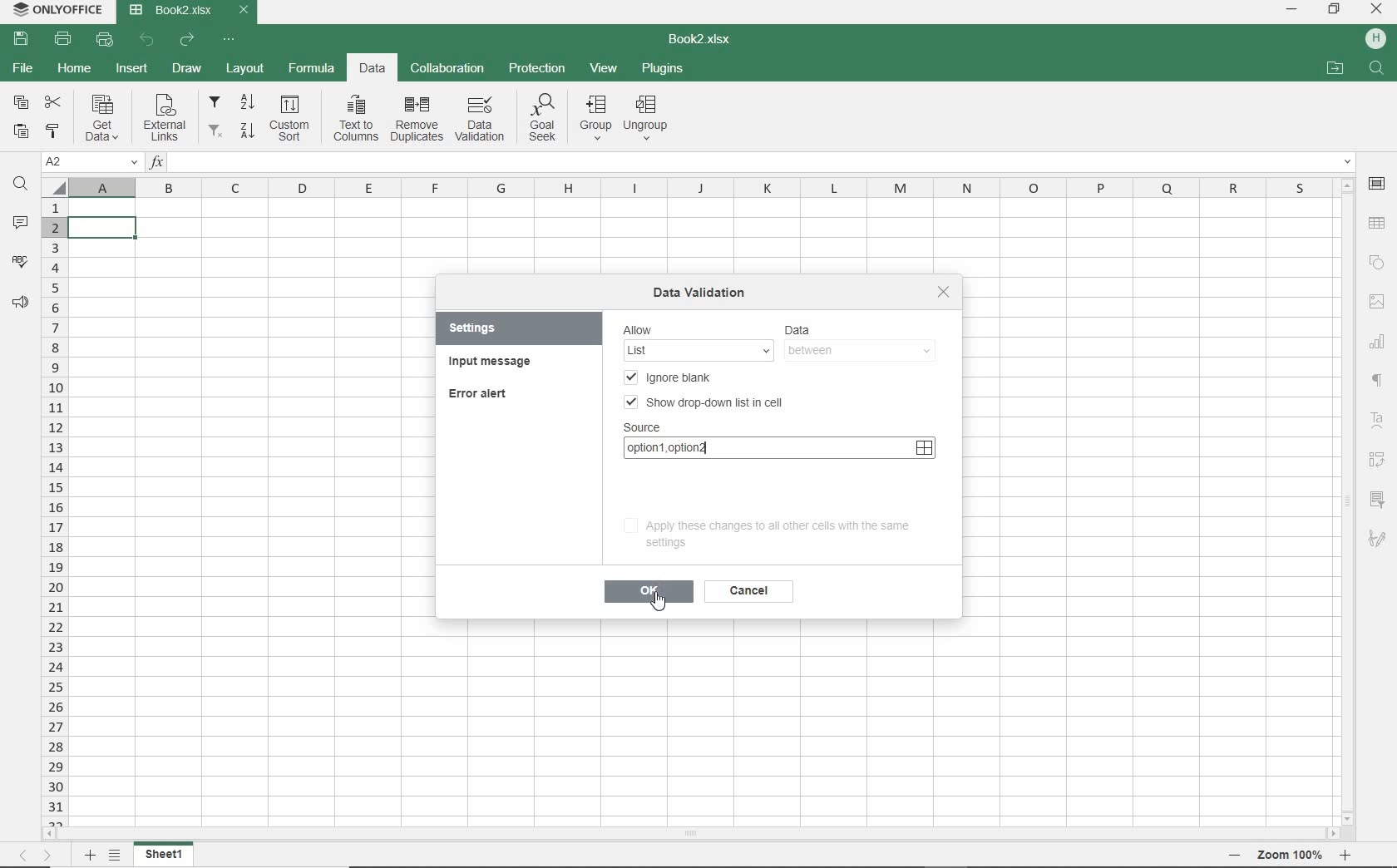 The width and height of the screenshot is (1397, 868). What do you see at coordinates (1337, 68) in the screenshot?
I see `OPEN FILE LOCATION` at bounding box center [1337, 68].